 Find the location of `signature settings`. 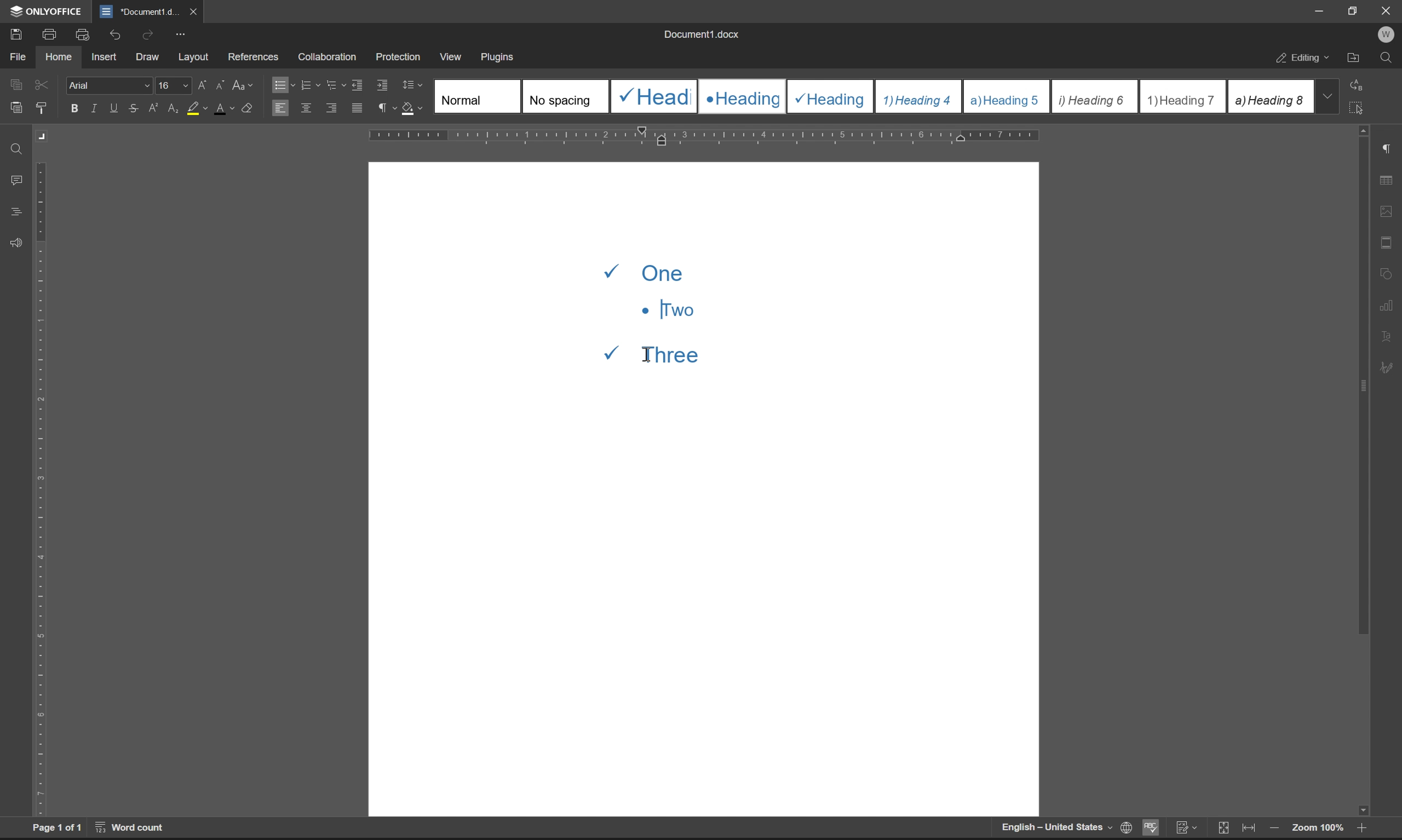

signature settings is located at coordinates (1390, 368).